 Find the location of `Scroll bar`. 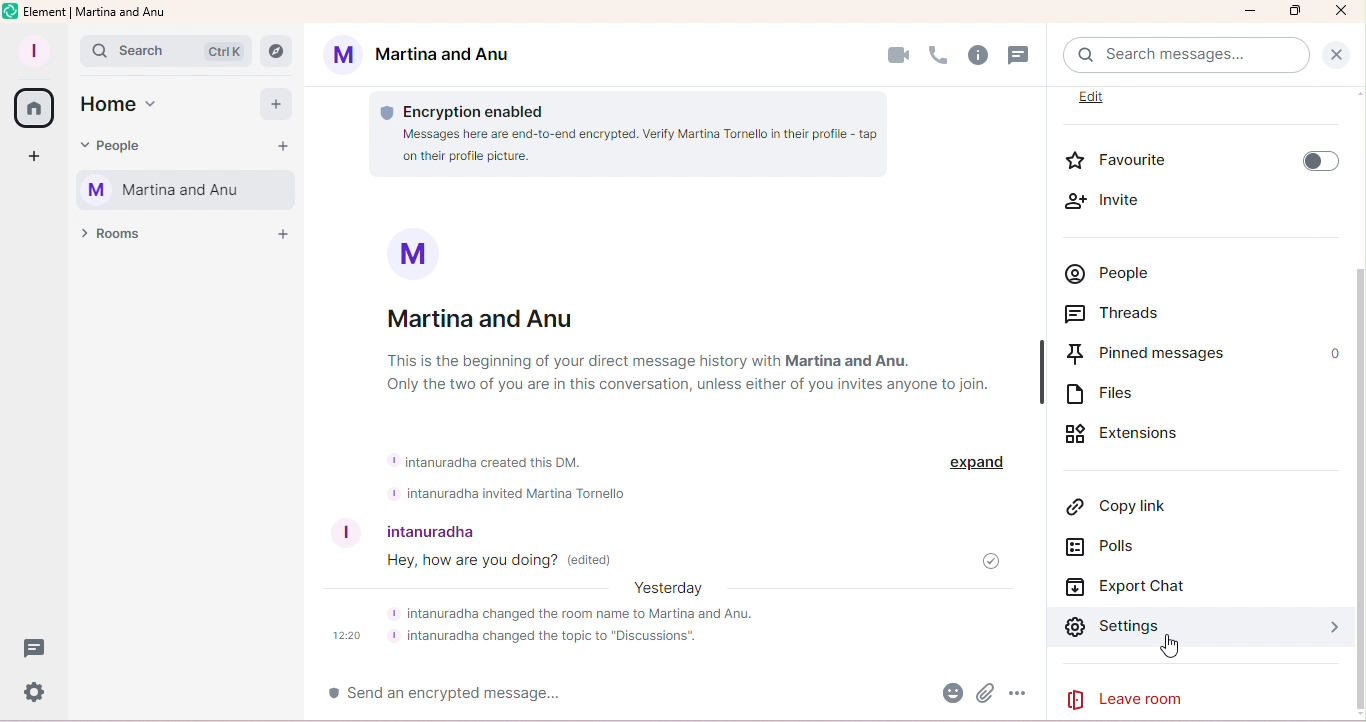

Scroll bar is located at coordinates (1358, 418).